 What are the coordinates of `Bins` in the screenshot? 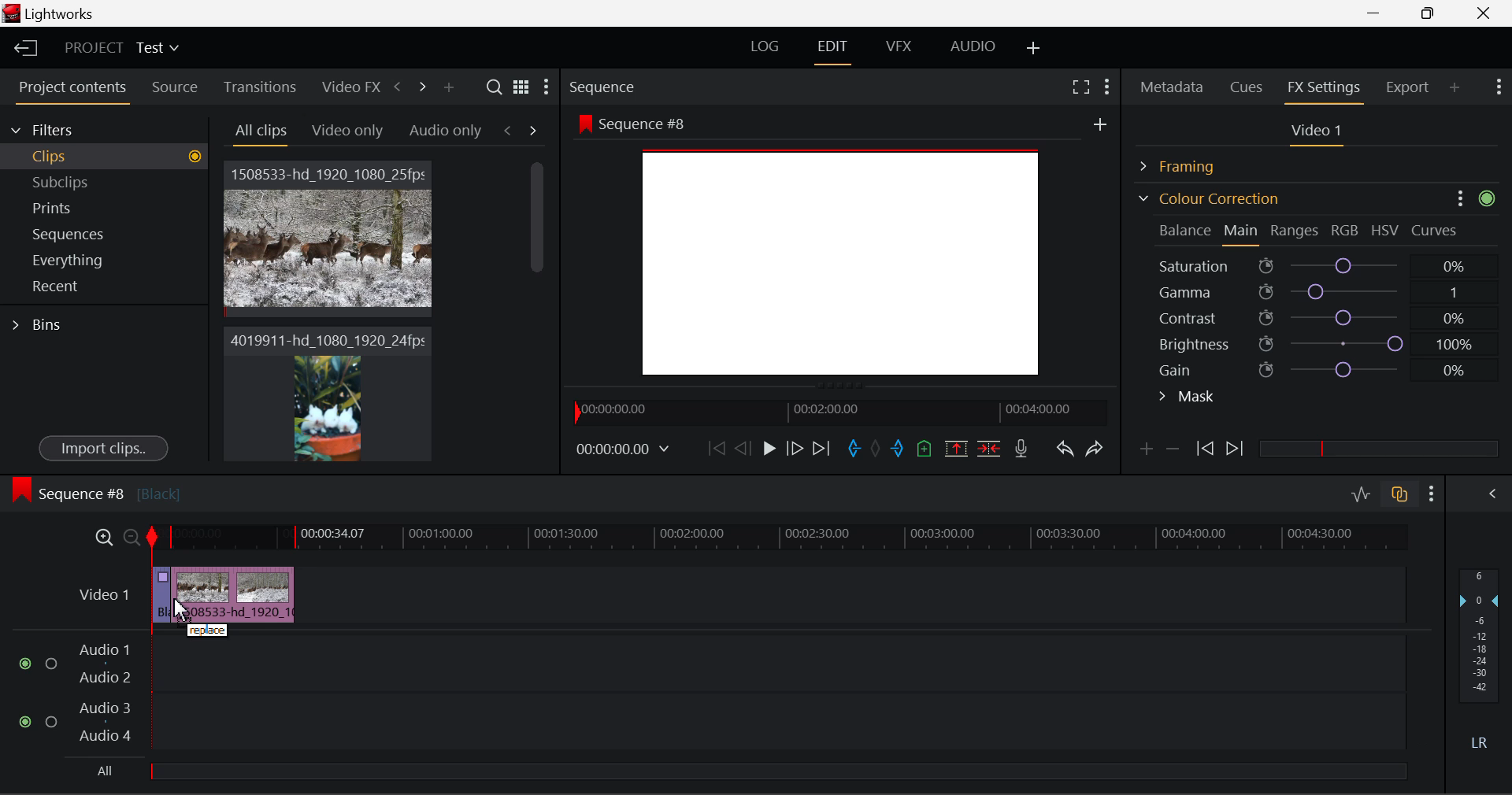 It's located at (42, 323).